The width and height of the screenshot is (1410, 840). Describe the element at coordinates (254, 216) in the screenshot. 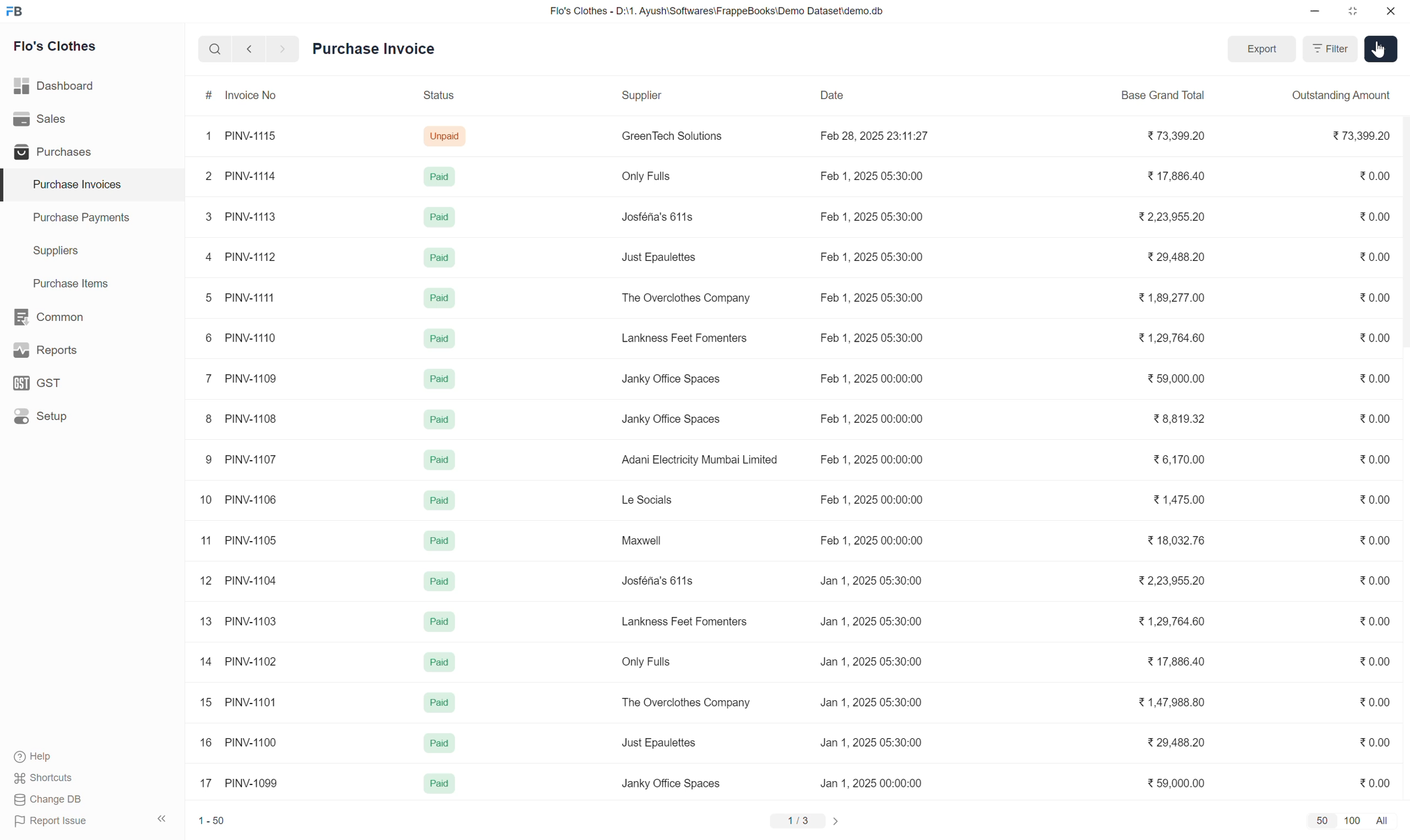

I see `PINV-1113` at that location.